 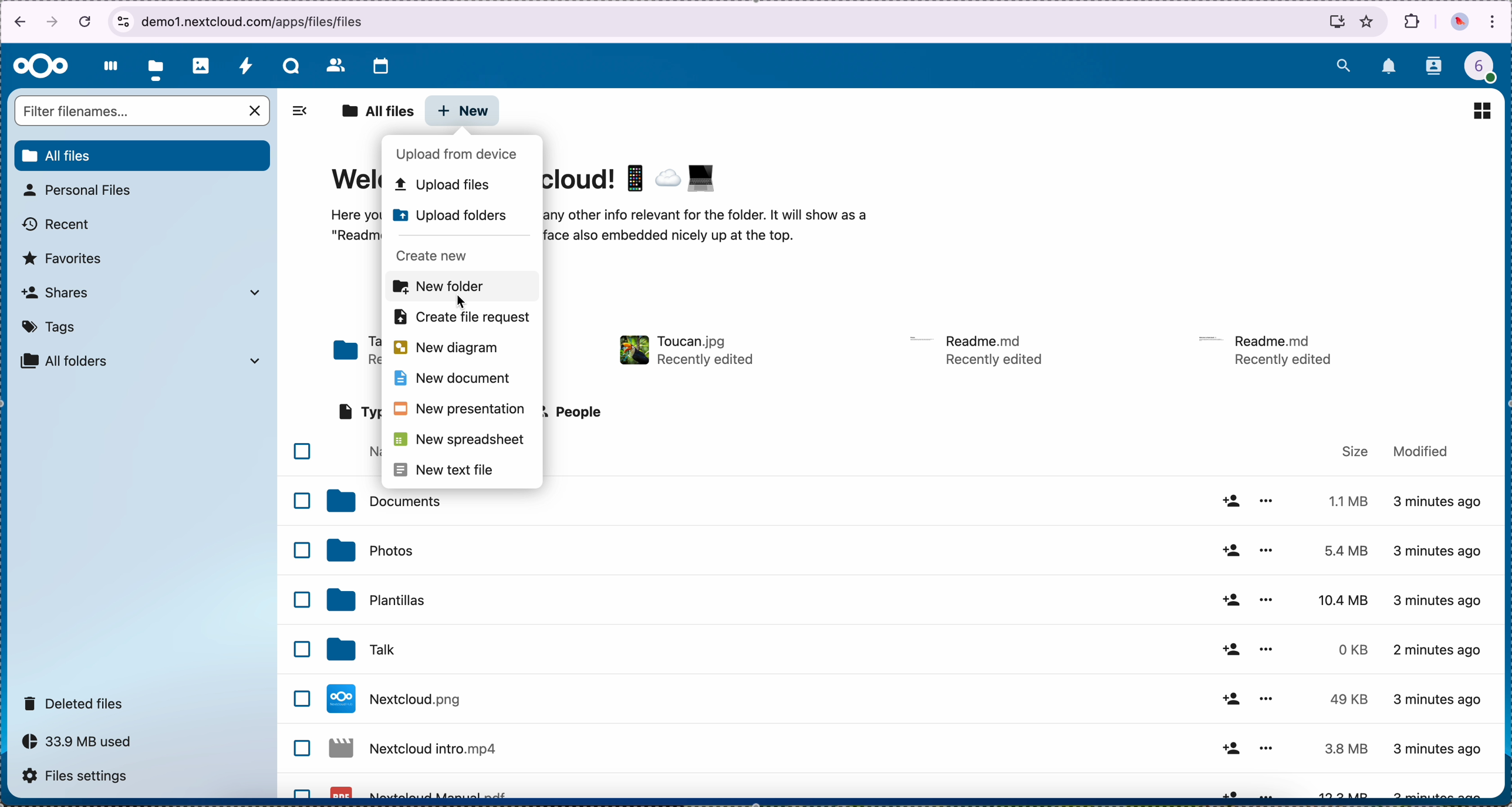 I want to click on Nextcloud file, so click(x=420, y=791).